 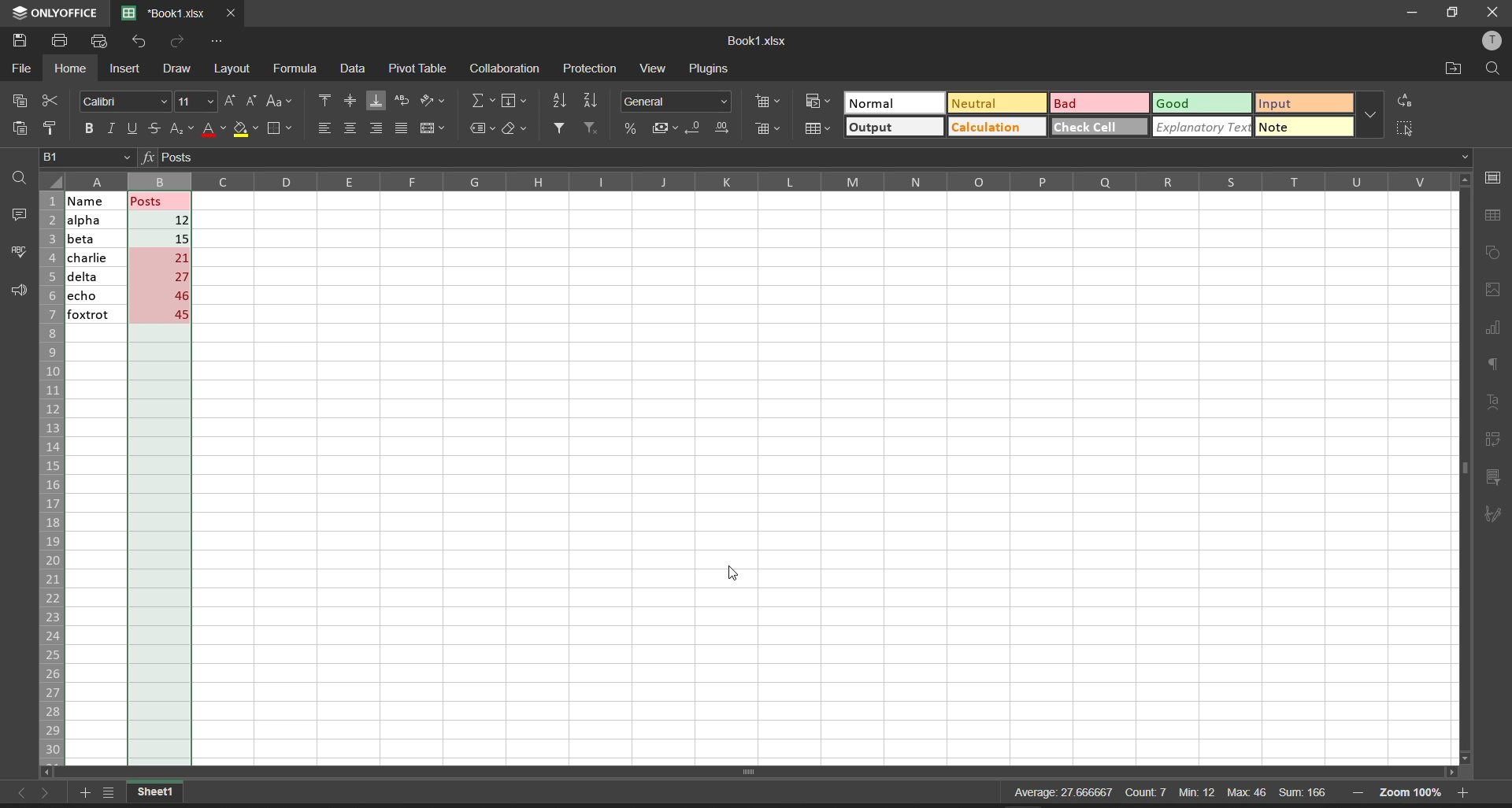 What do you see at coordinates (1466, 791) in the screenshot?
I see `zoom in` at bounding box center [1466, 791].